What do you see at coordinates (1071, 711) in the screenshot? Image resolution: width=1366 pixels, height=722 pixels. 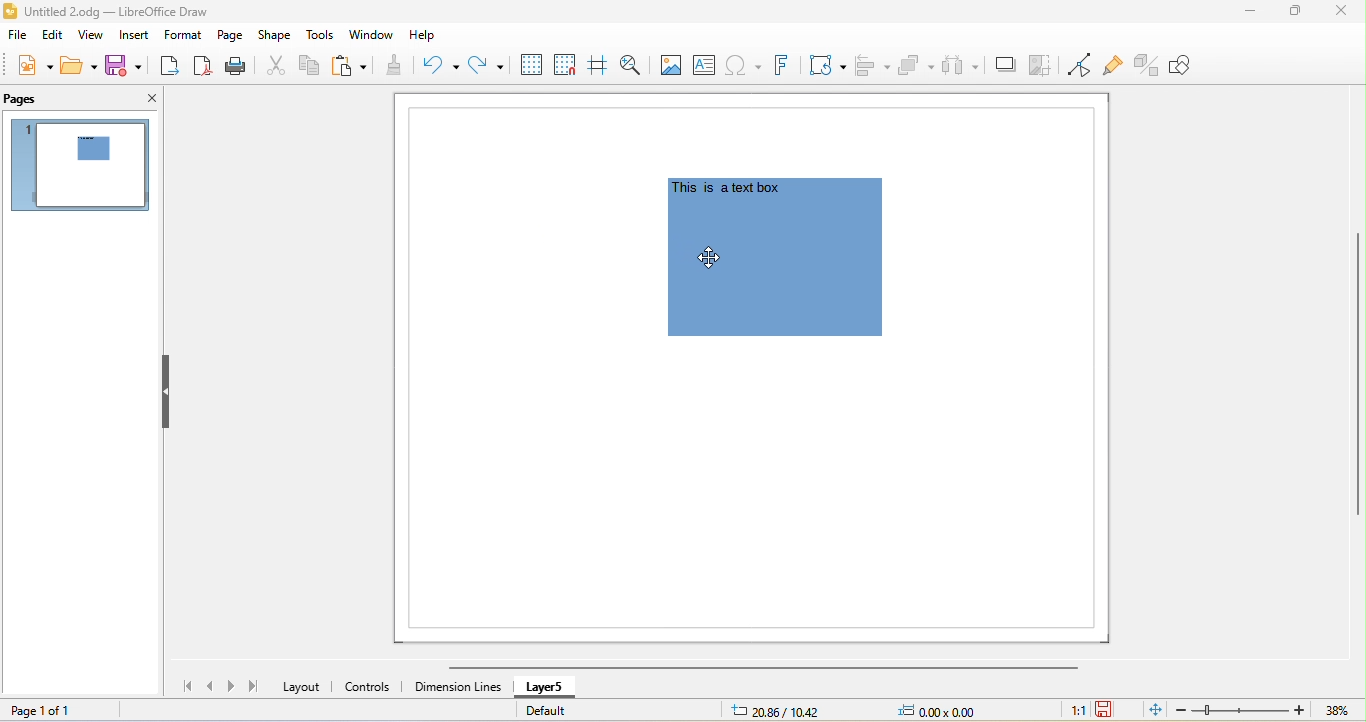 I see `1:1` at bounding box center [1071, 711].